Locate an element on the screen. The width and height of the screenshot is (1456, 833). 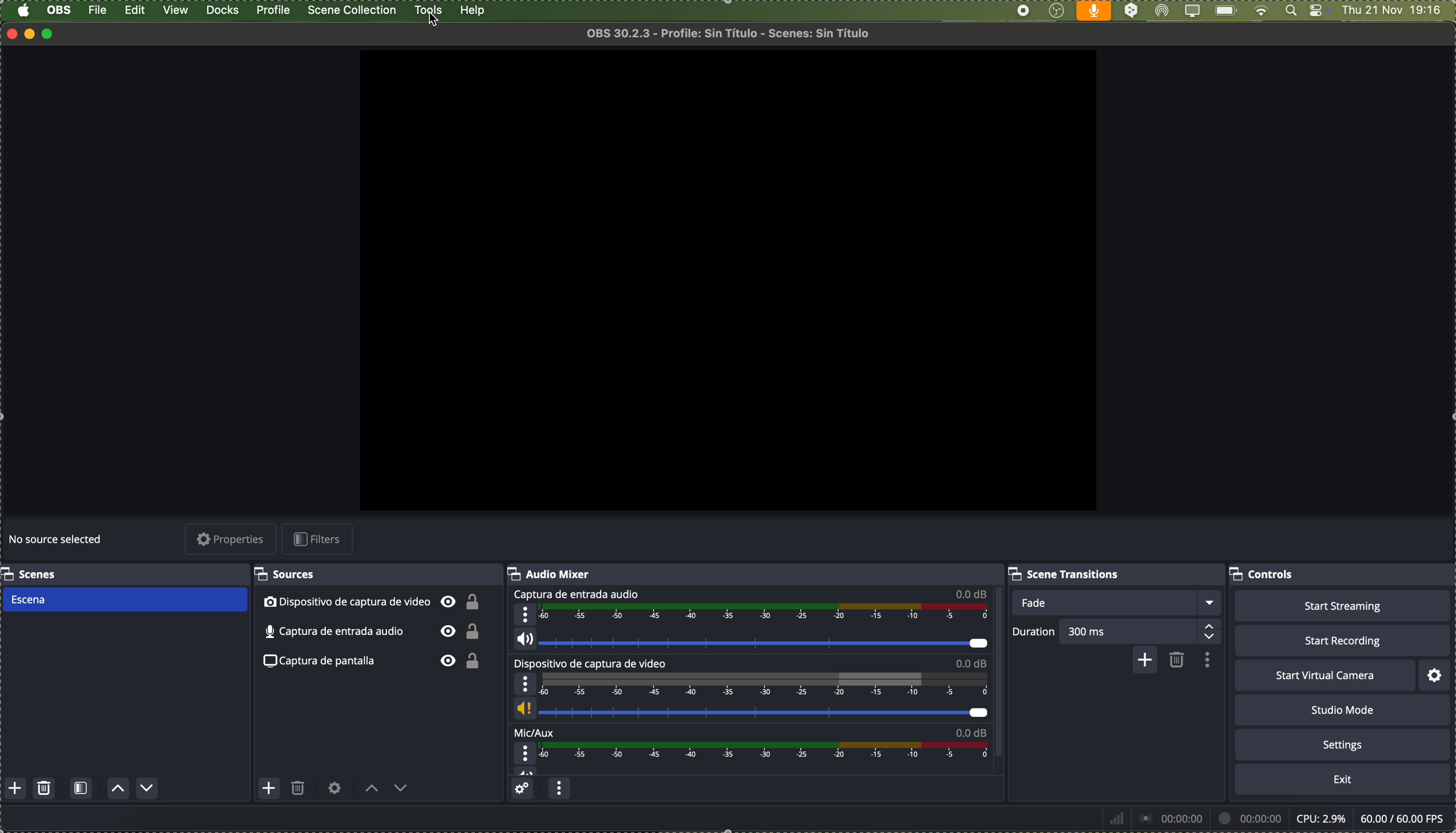
profile is located at coordinates (272, 10).